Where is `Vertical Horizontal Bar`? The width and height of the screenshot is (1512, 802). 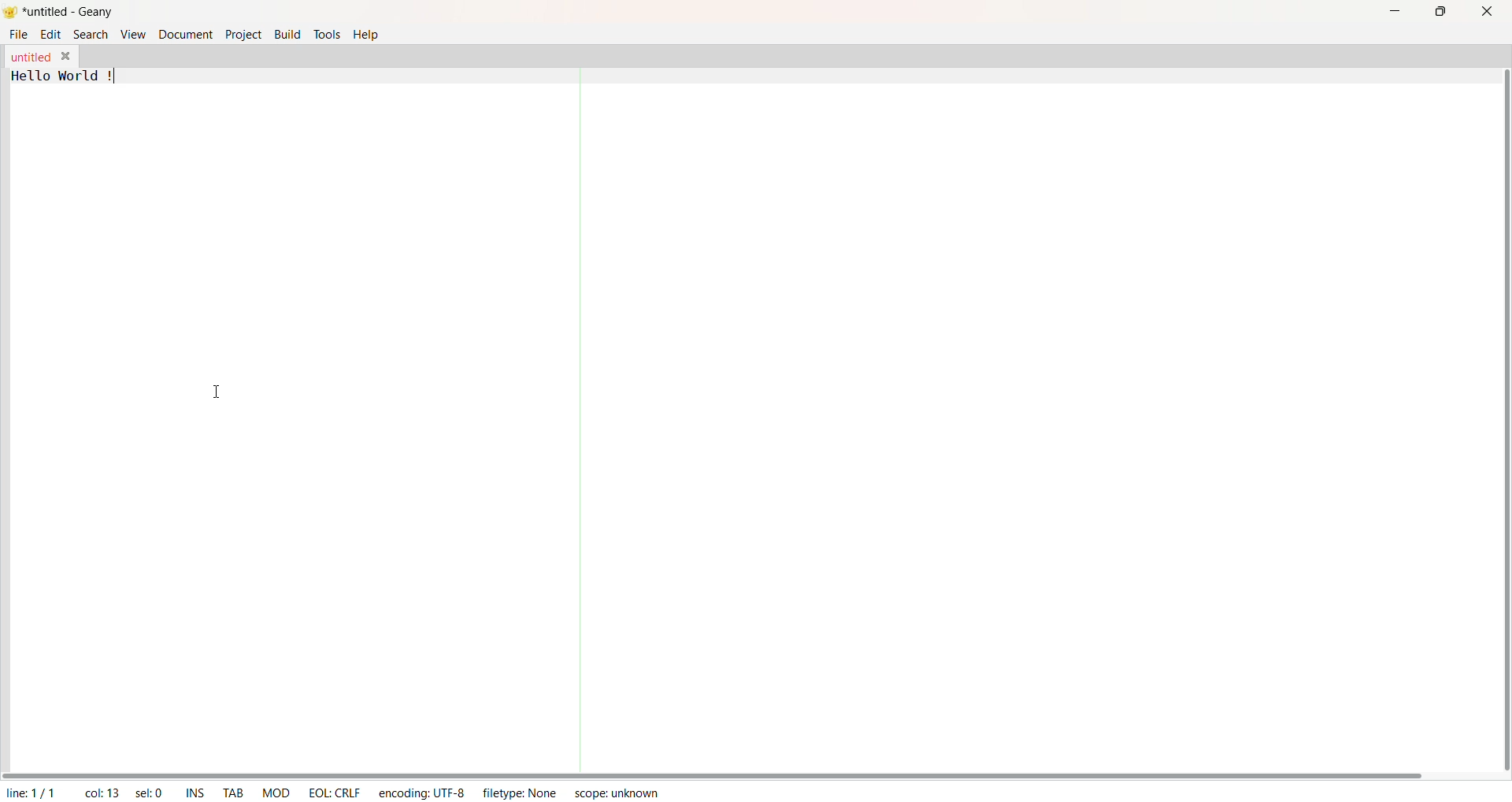 Vertical Horizontal Bar is located at coordinates (1492, 411).